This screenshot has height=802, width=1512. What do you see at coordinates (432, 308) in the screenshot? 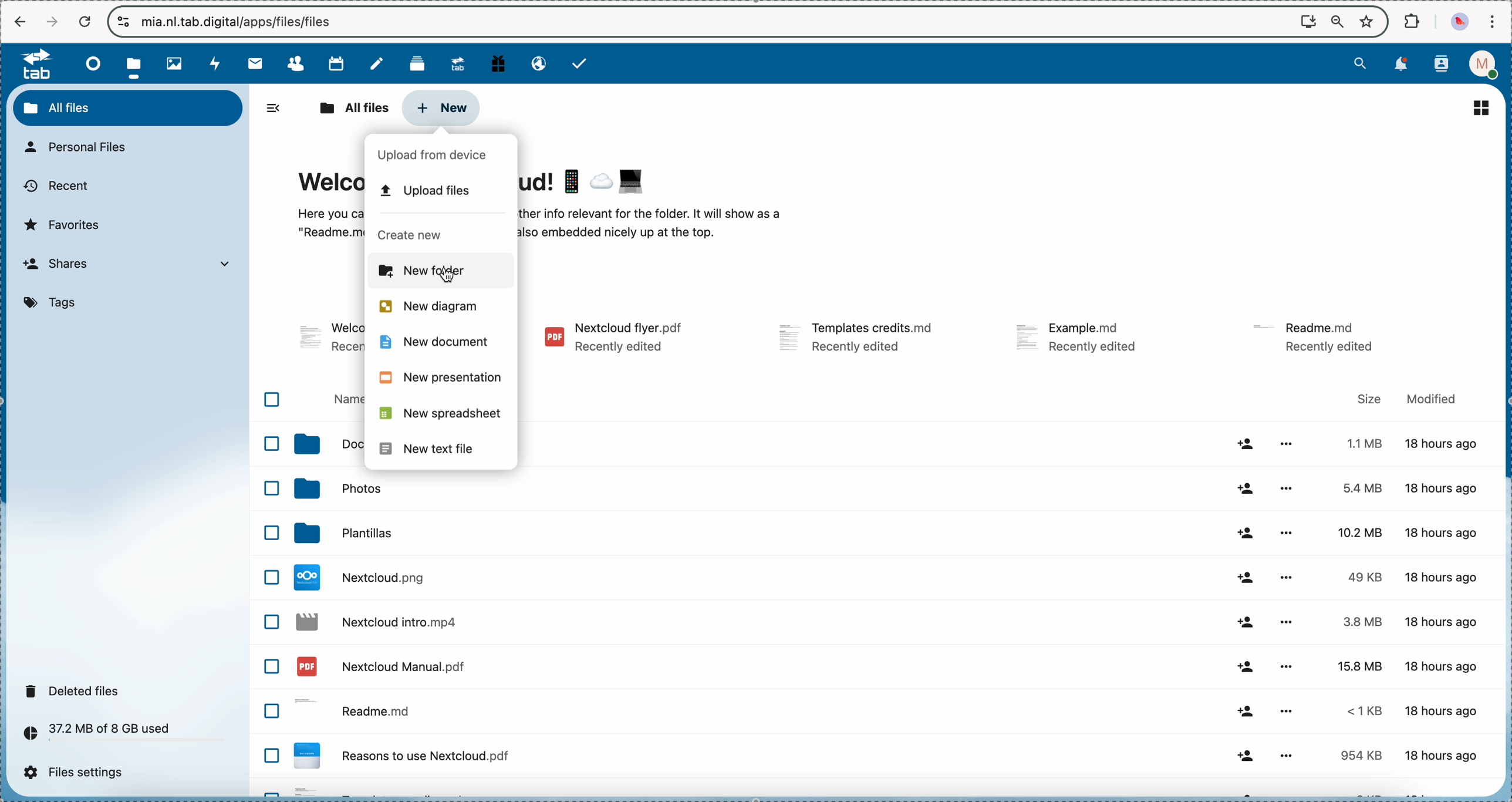
I see `new diagram` at bounding box center [432, 308].